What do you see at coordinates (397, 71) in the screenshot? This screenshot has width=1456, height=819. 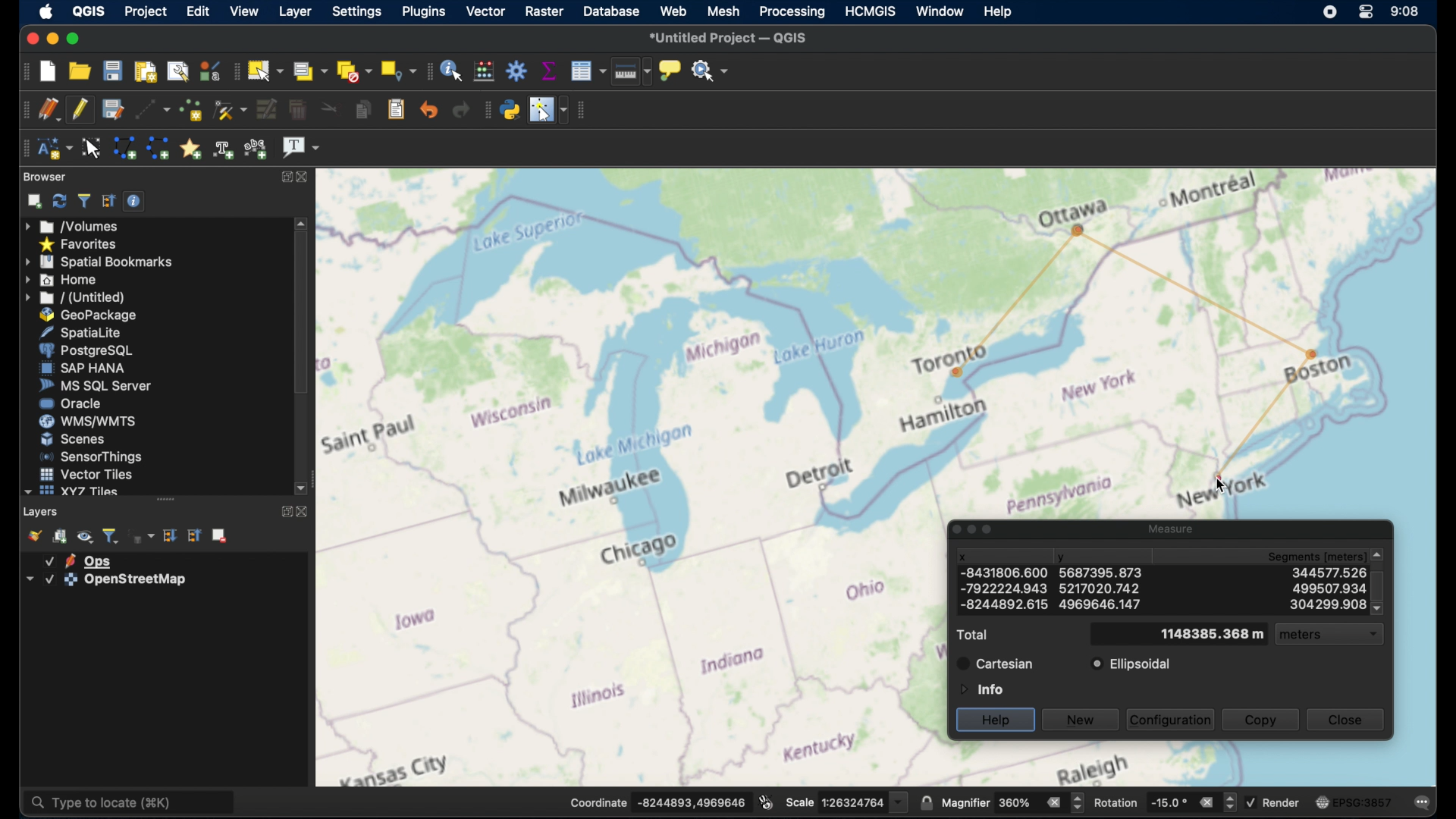 I see `select by location` at bounding box center [397, 71].